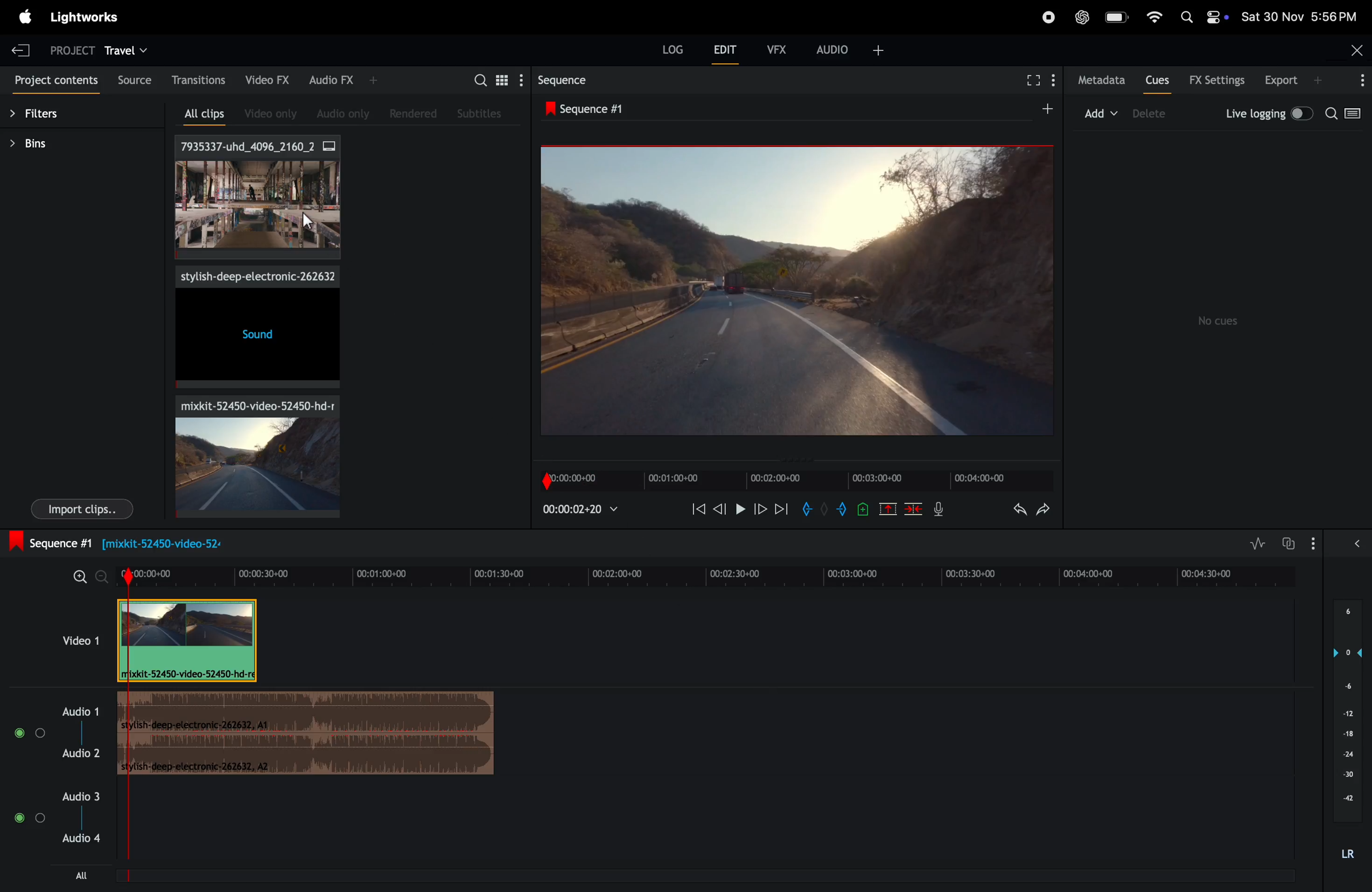 The height and width of the screenshot is (892, 1372). Describe the element at coordinates (198, 81) in the screenshot. I see `transactions` at that location.